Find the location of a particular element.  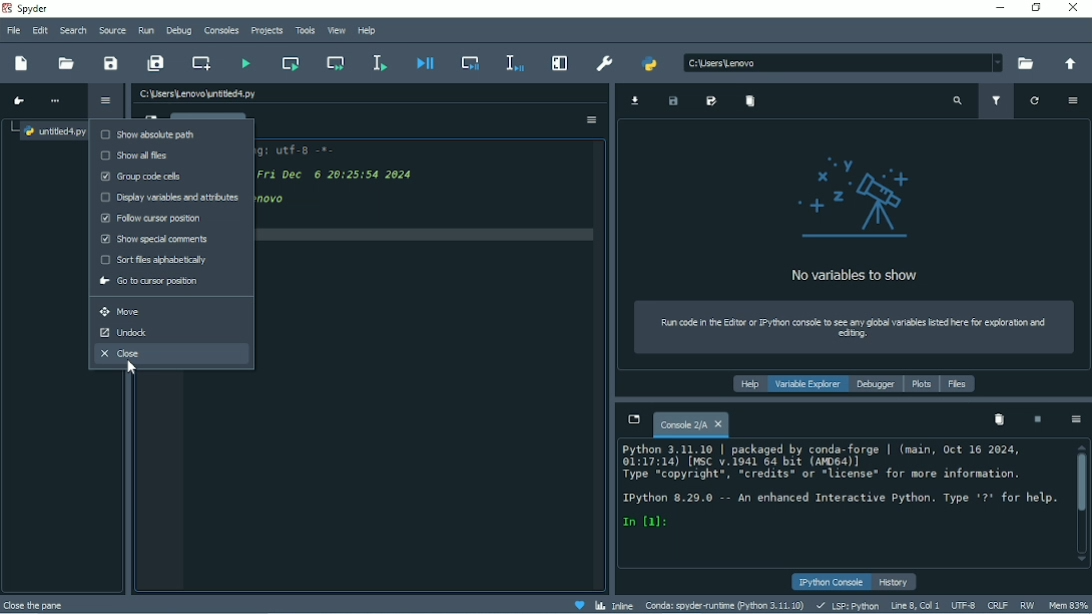

Display variables and attributes is located at coordinates (167, 198).